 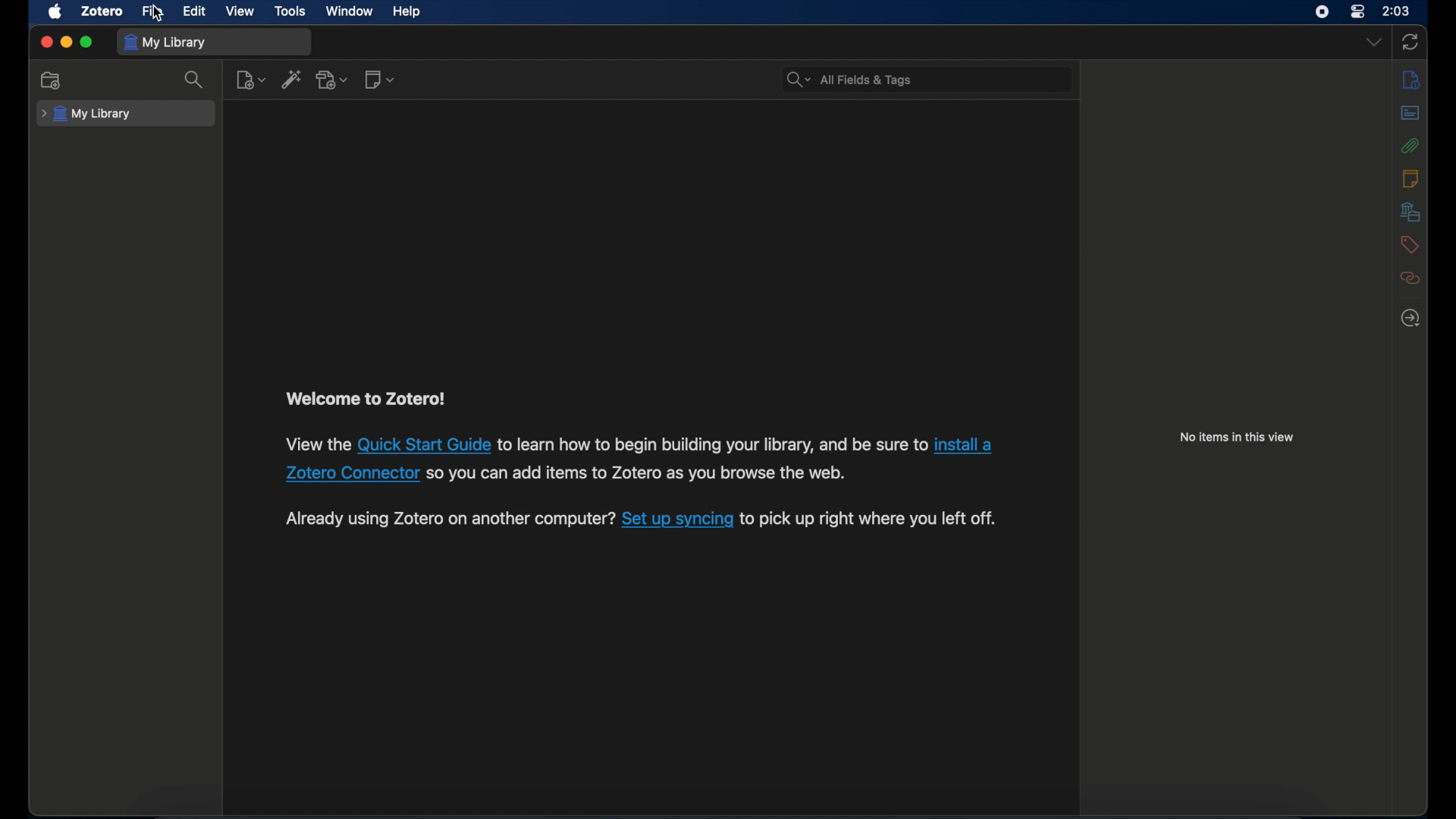 What do you see at coordinates (406, 11) in the screenshot?
I see `help` at bounding box center [406, 11].